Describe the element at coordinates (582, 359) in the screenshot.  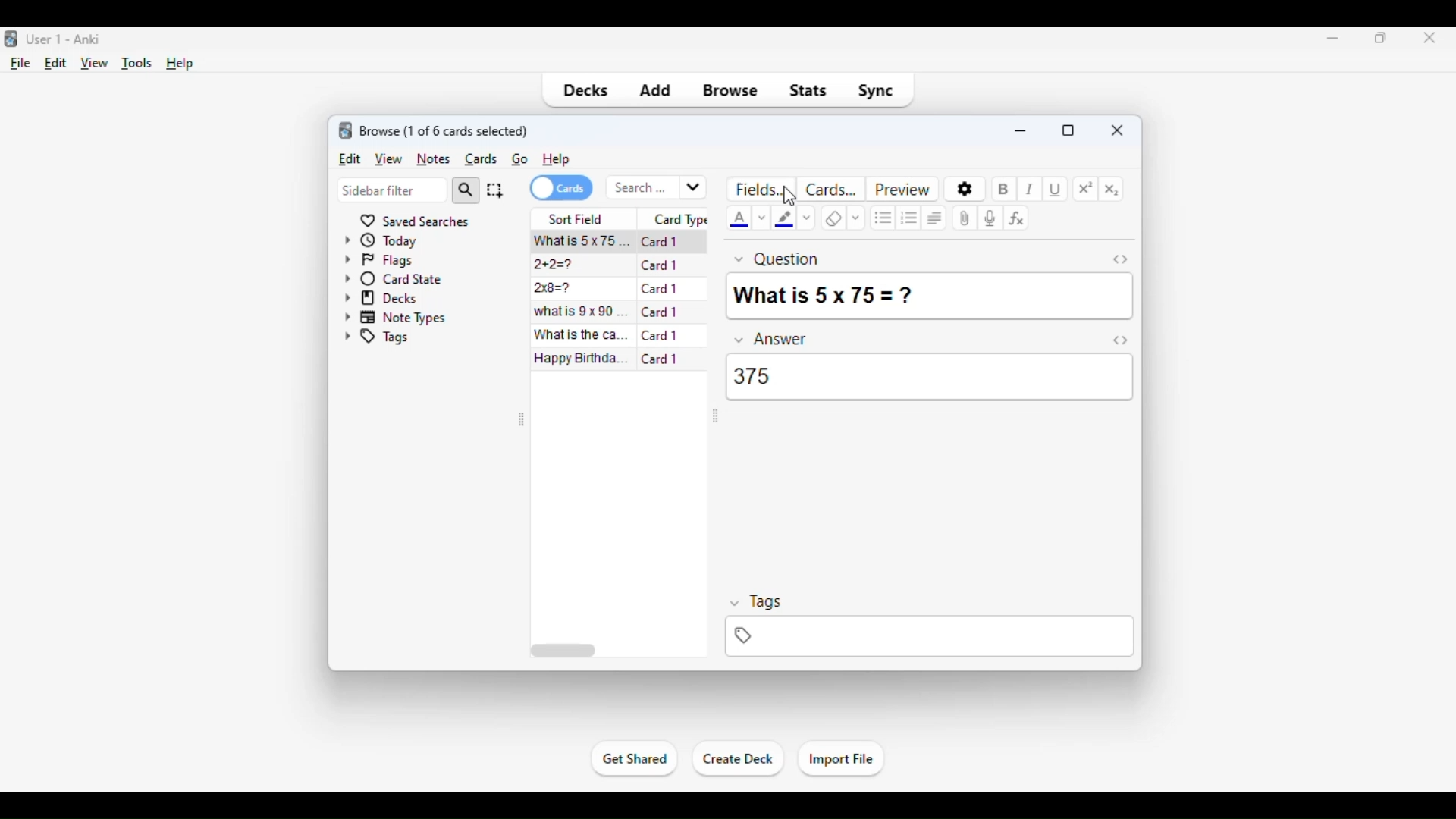
I see `happy birthday song!!!.mp3` at that location.